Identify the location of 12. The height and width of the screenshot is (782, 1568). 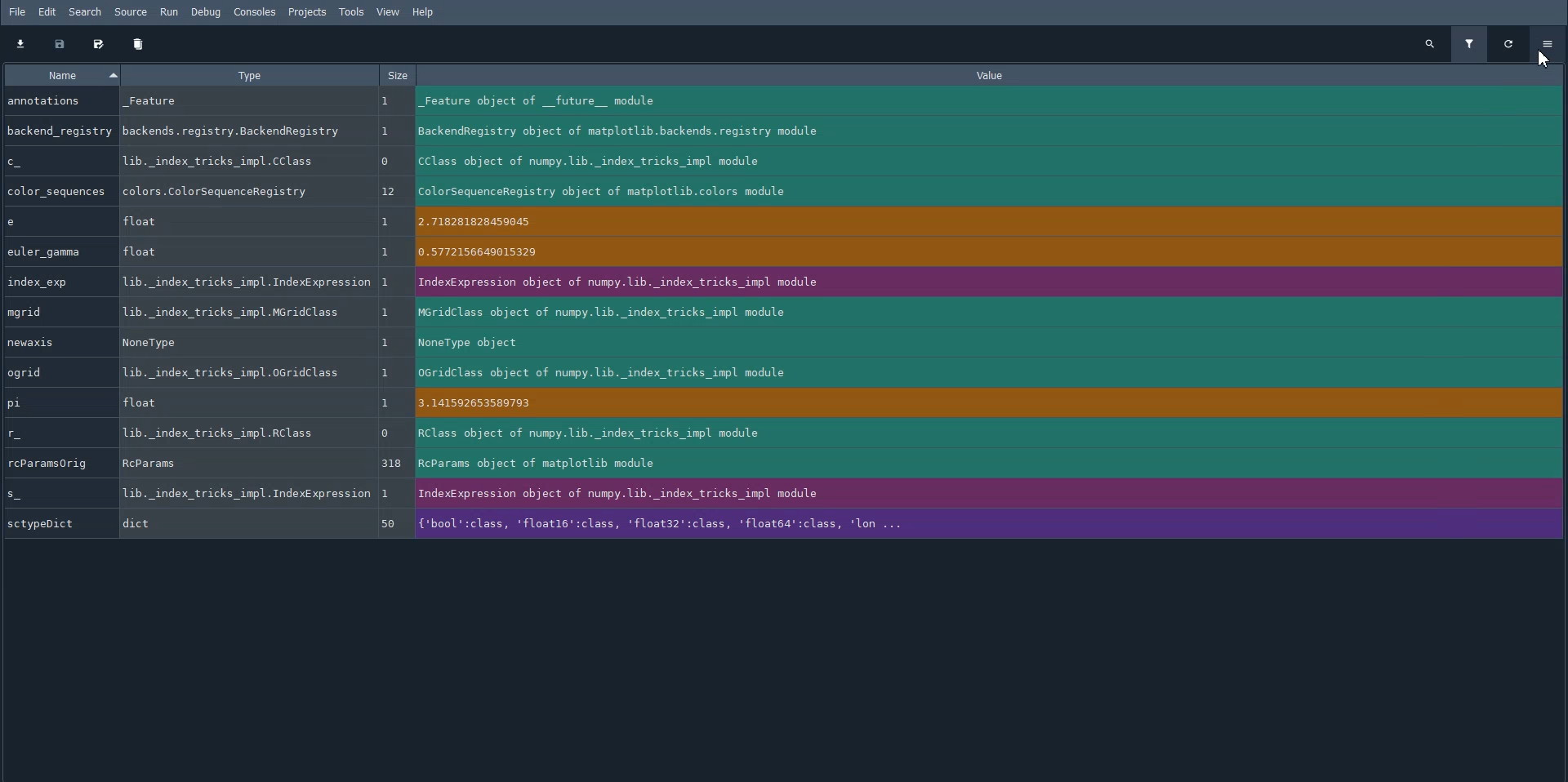
(390, 192).